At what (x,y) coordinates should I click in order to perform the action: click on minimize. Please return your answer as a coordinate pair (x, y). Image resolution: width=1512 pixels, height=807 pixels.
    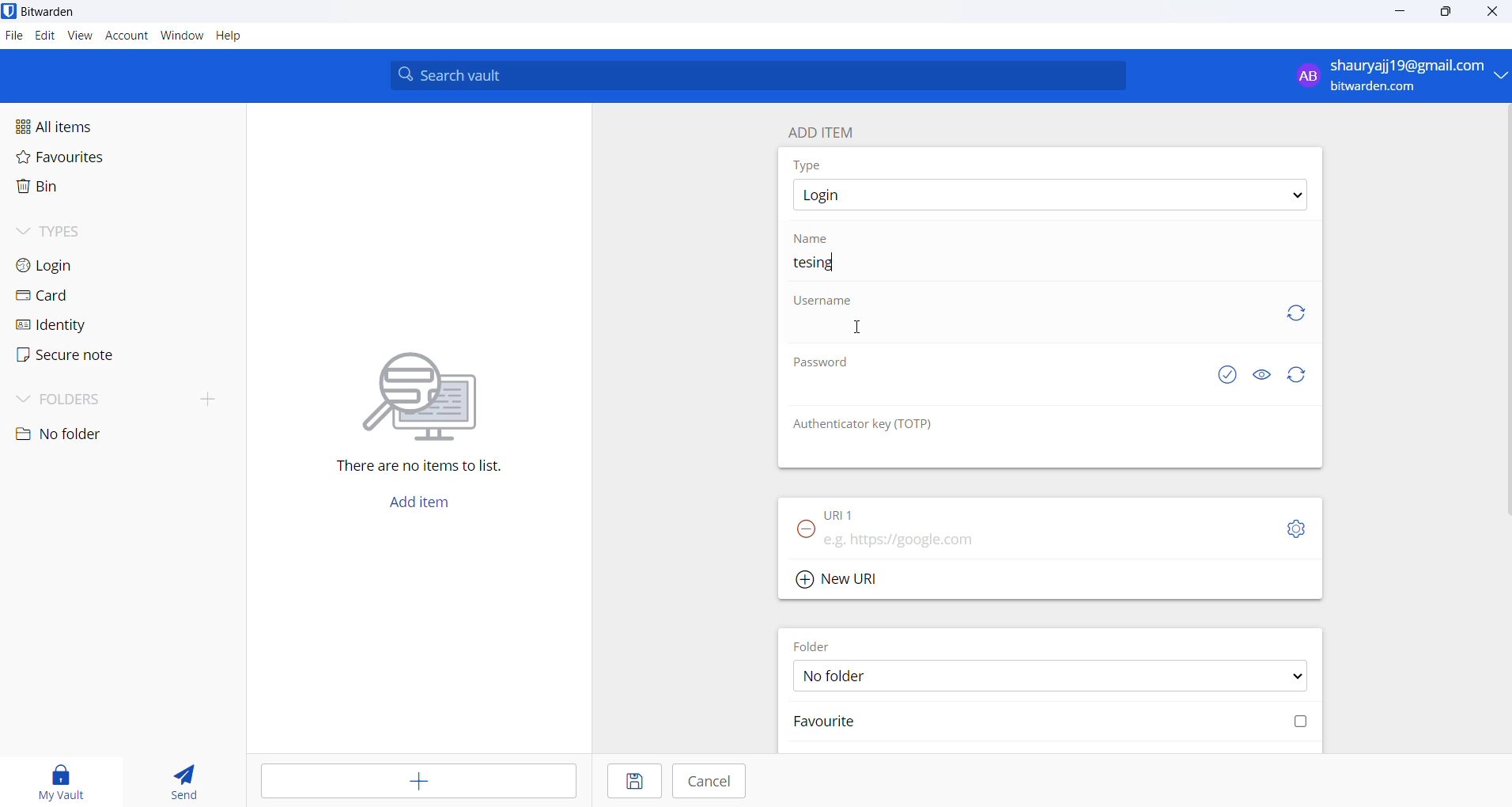
    Looking at the image, I should click on (1402, 13).